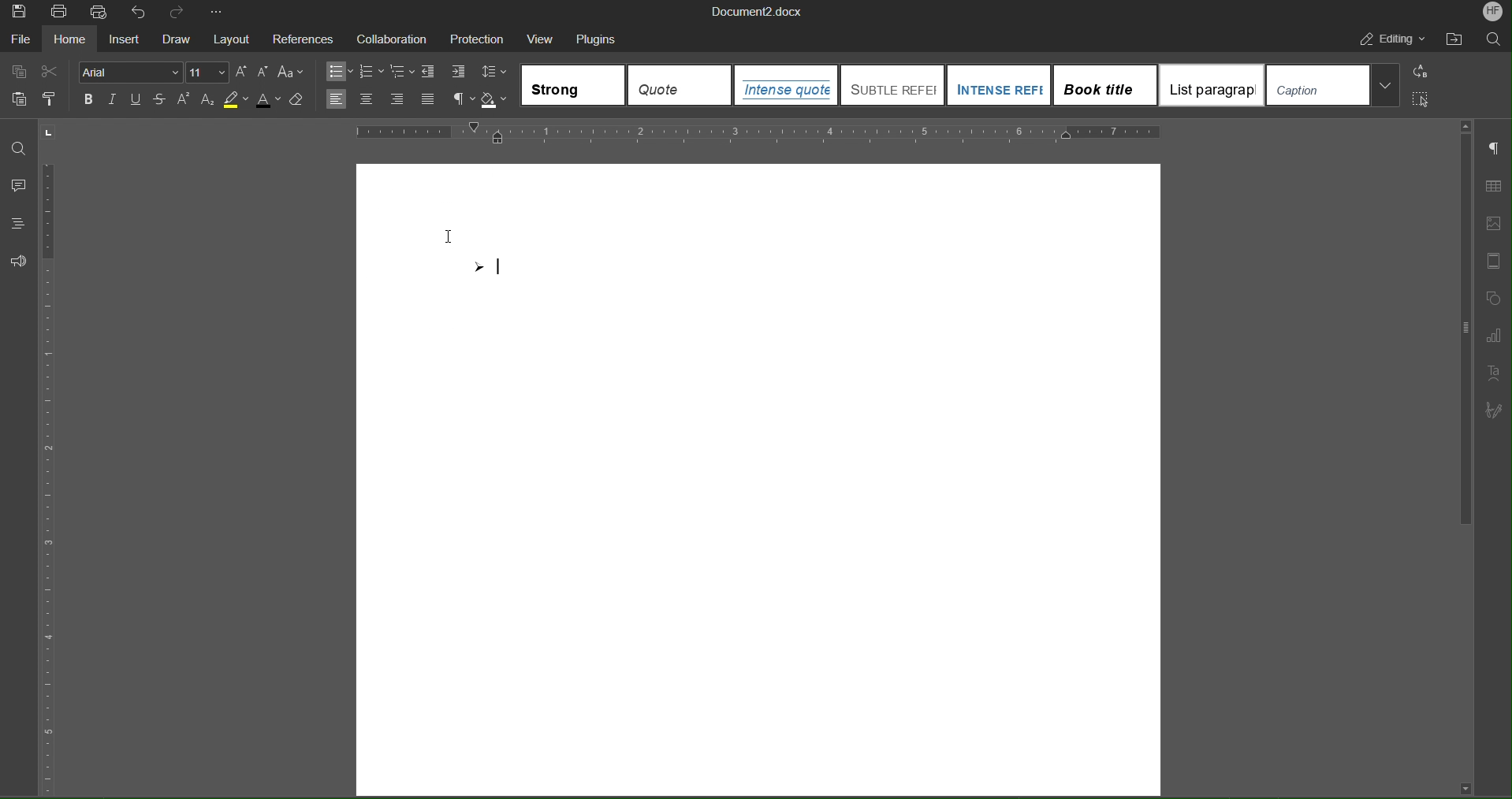 The image size is (1512, 799). Describe the element at coordinates (1488, 260) in the screenshot. I see `Header/Footer` at that location.